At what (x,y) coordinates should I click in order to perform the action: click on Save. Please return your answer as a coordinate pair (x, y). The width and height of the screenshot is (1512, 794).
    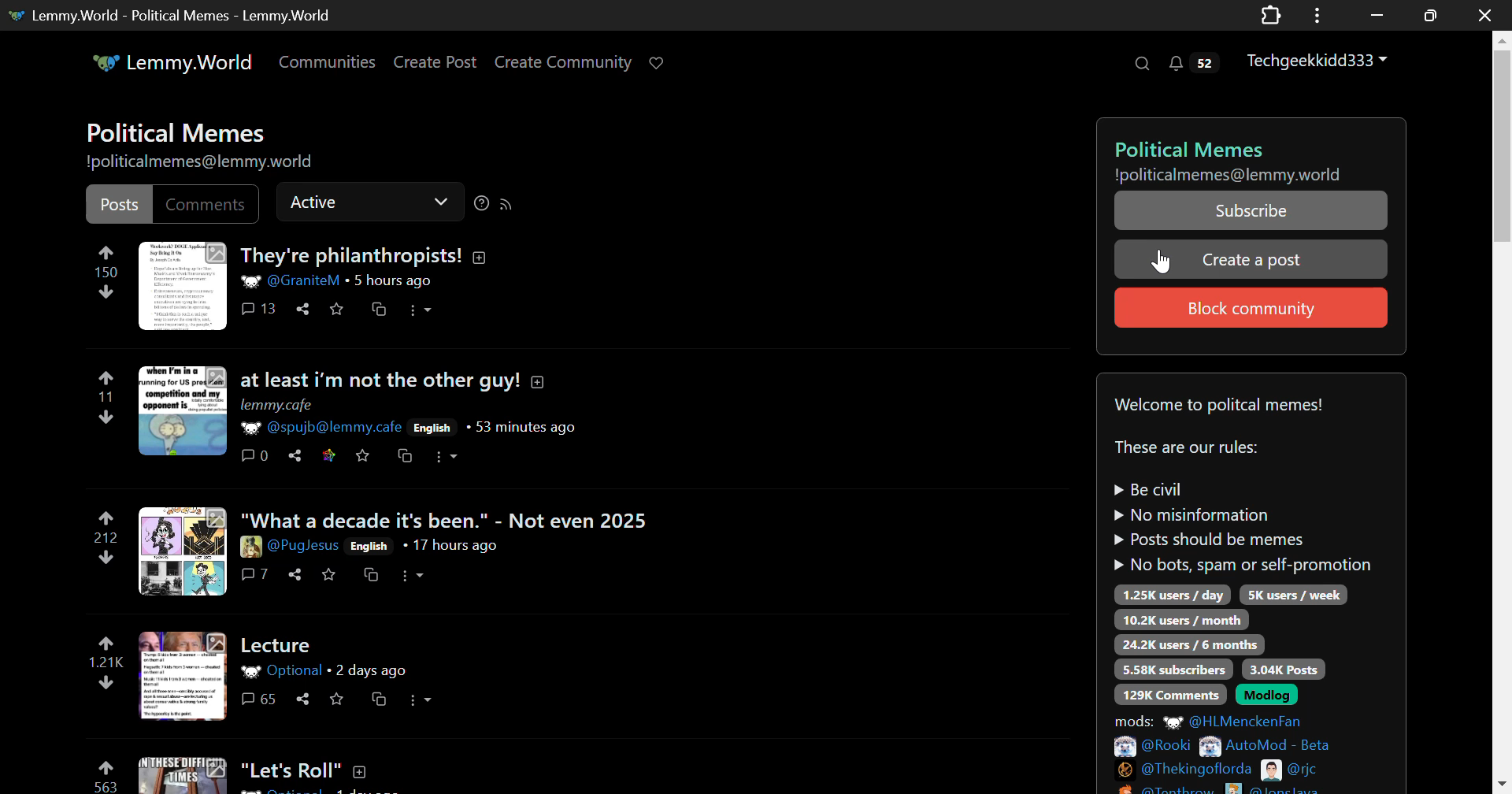
    Looking at the image, I should click on (339, 309).